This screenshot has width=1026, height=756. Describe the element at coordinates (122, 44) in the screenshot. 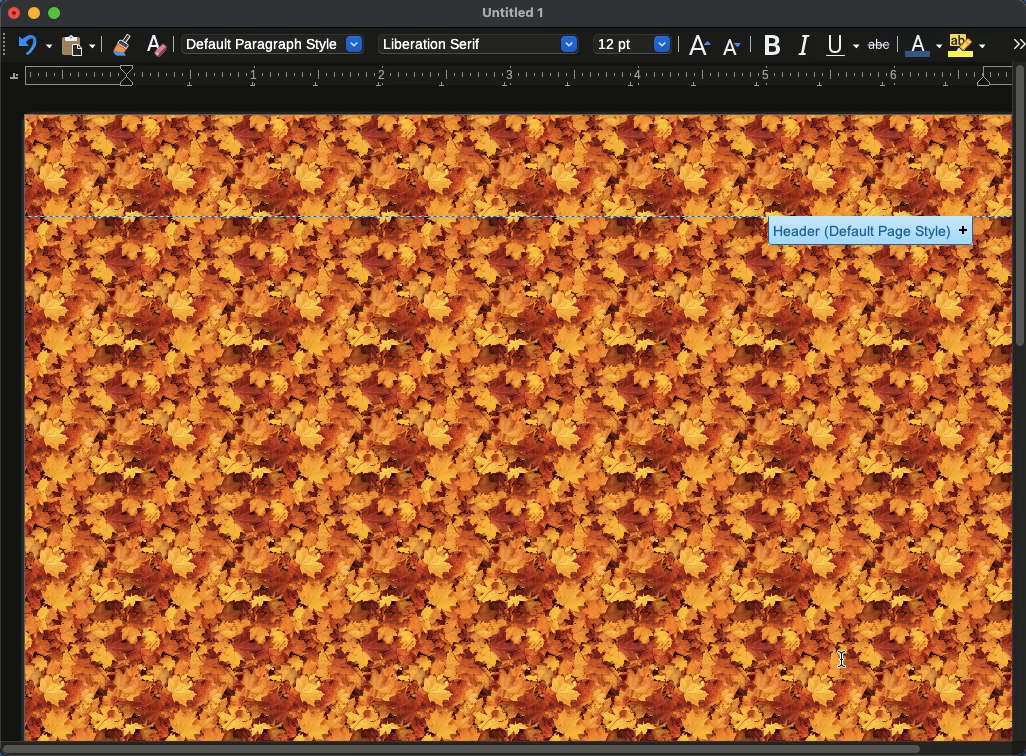

I see `clone formatting` at that location.